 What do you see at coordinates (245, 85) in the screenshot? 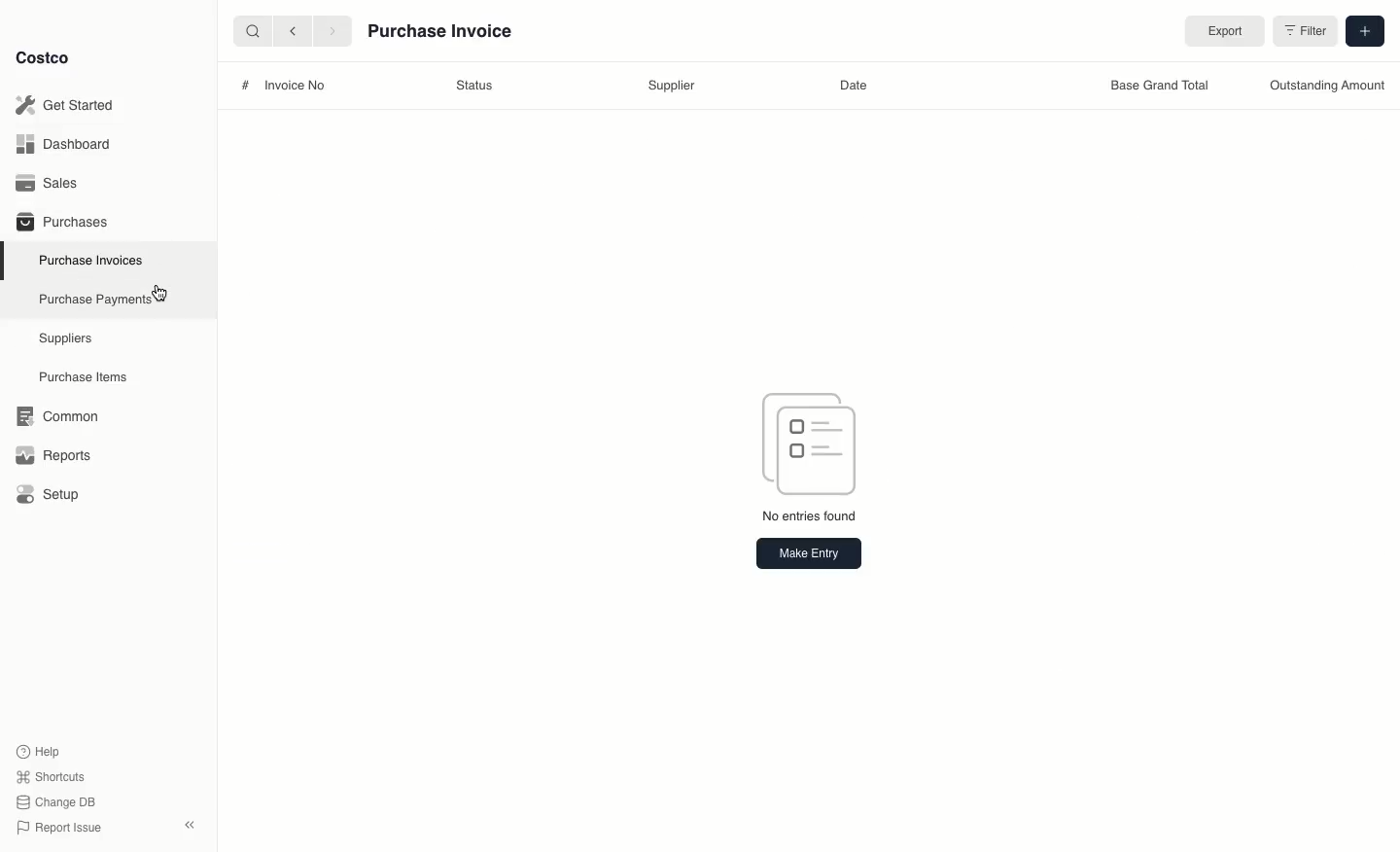
I see `#` at bounding box center [245, 85].